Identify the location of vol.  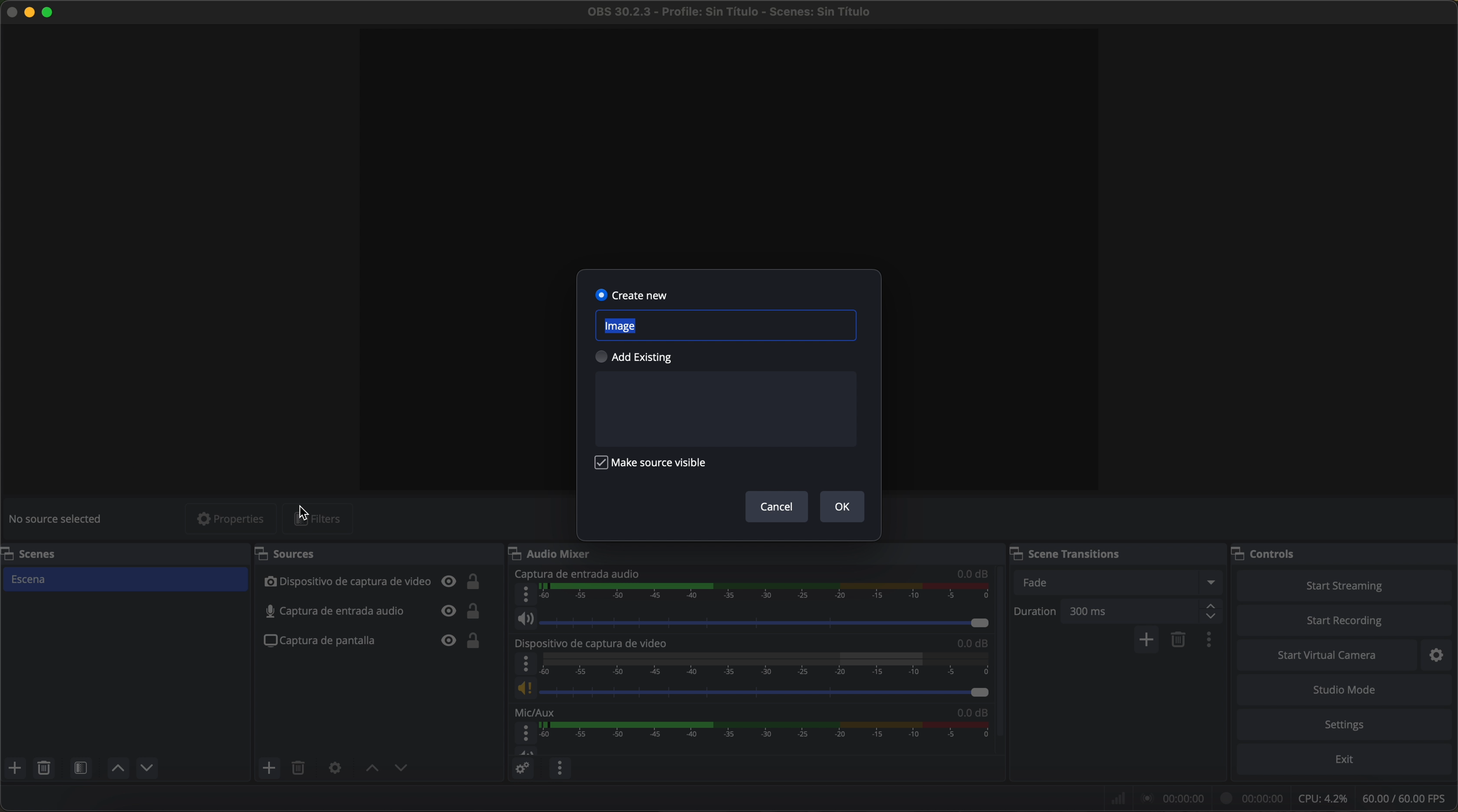
(526, 750).